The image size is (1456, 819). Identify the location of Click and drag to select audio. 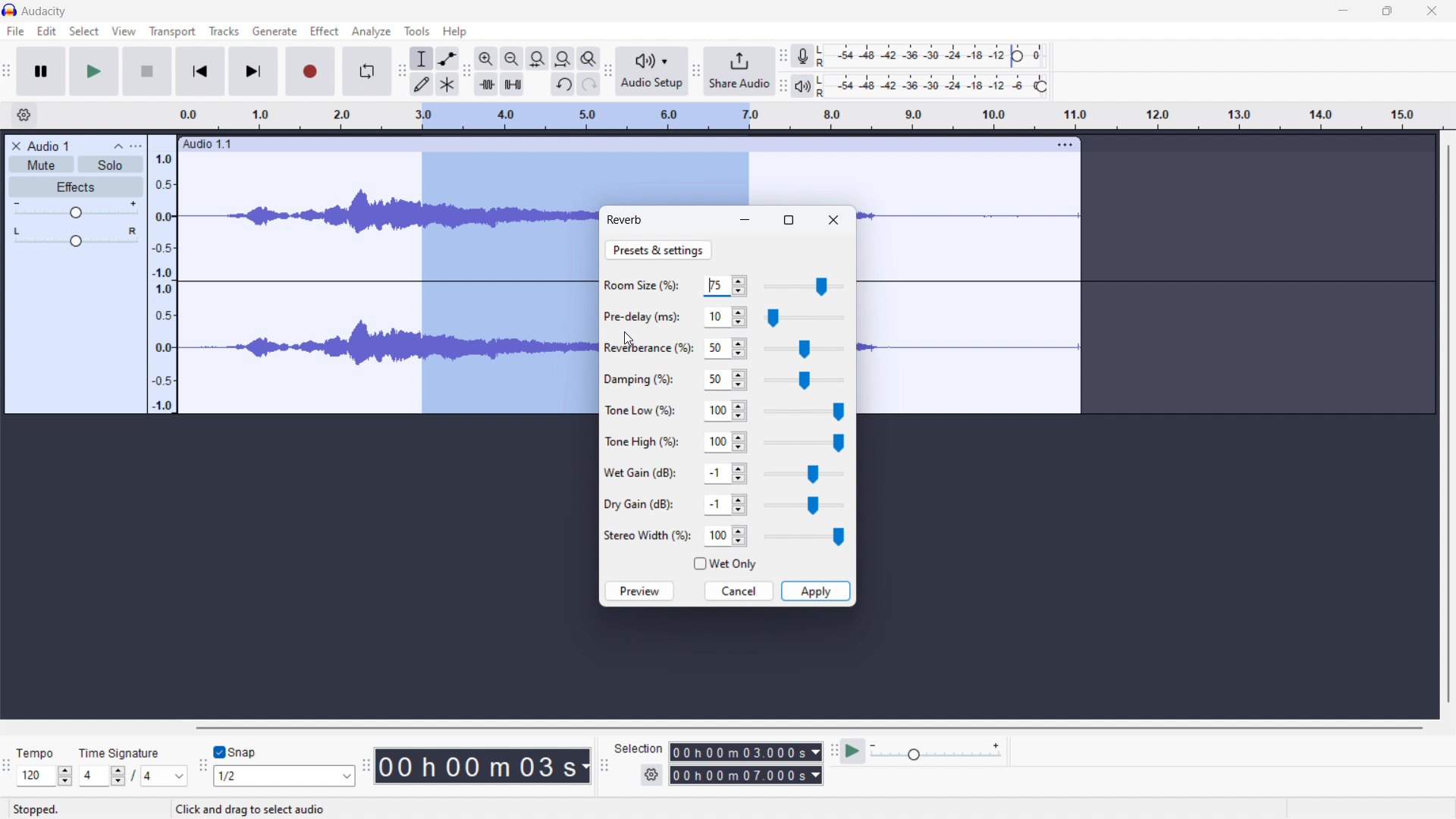
(253, 808).